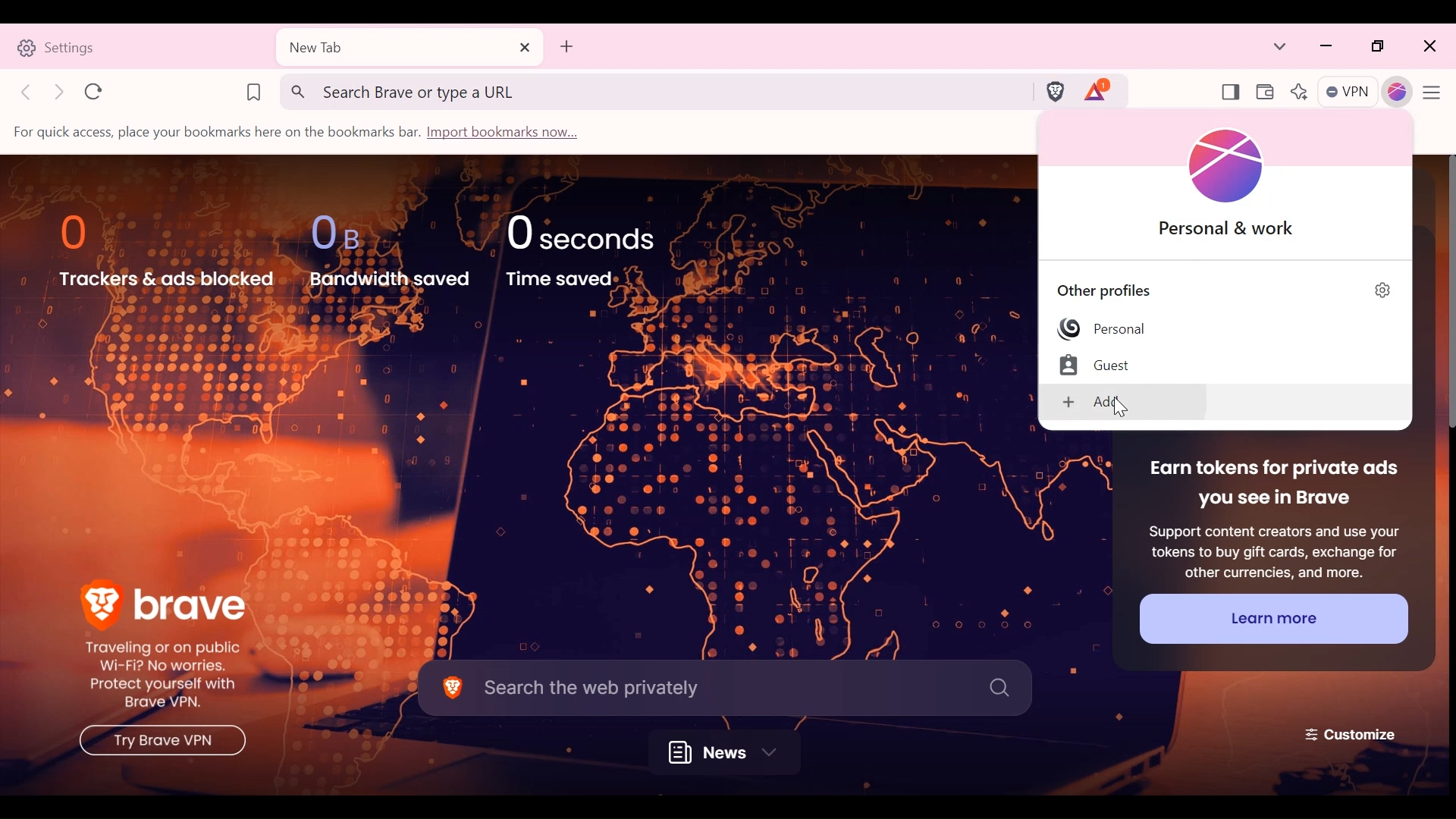 This screenshot has height=819, width=1456. What do you see at coordinates (1327, 47) in the screenshot?
I see `Minimize` at bounding box center [1327, 47].